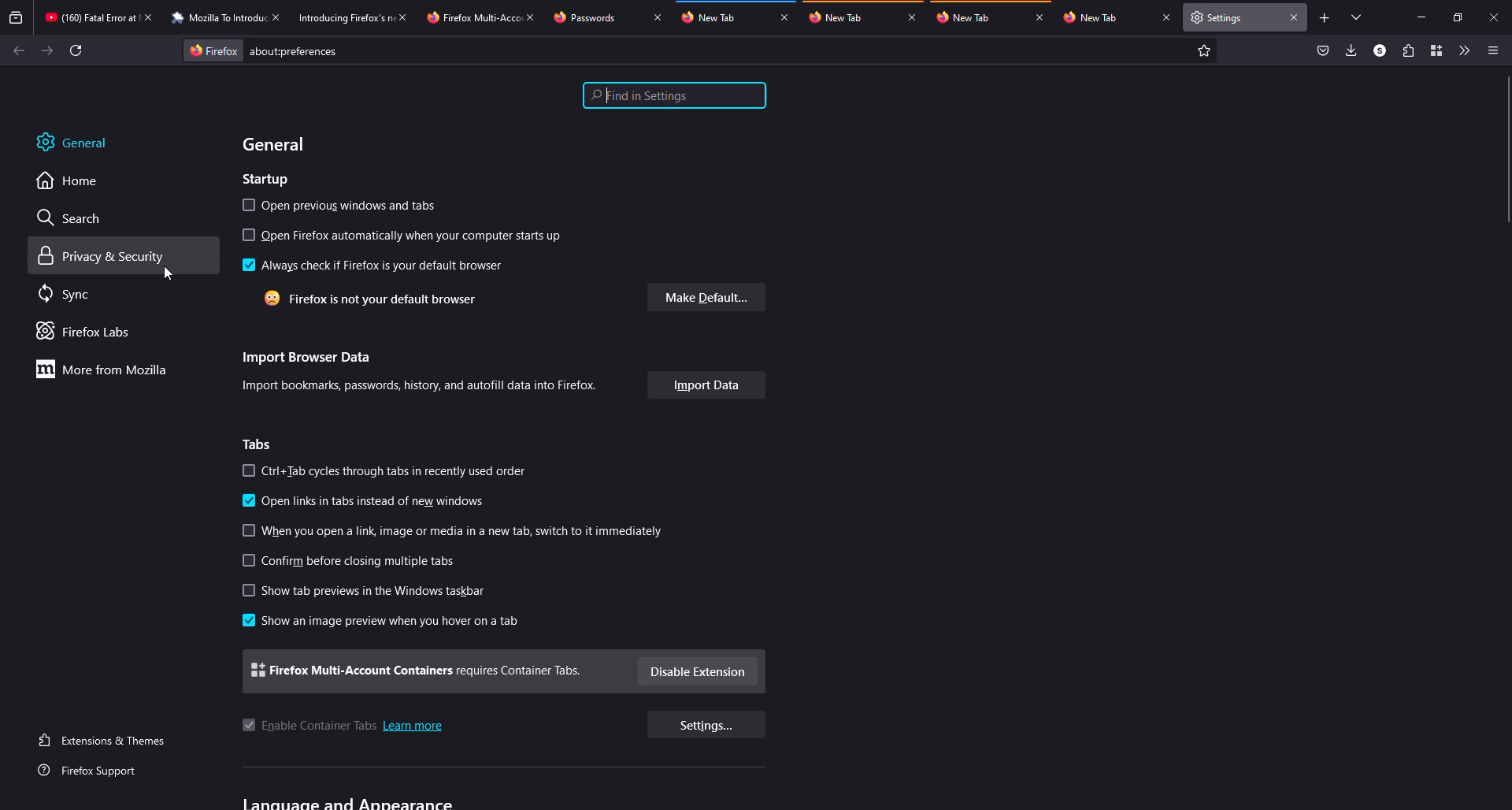 The height and width of the screenshot is (810, 1512). What do you see at coordinates (298, 51) in the screenshot?
I see `preferences` at bounding box center [298, 51].